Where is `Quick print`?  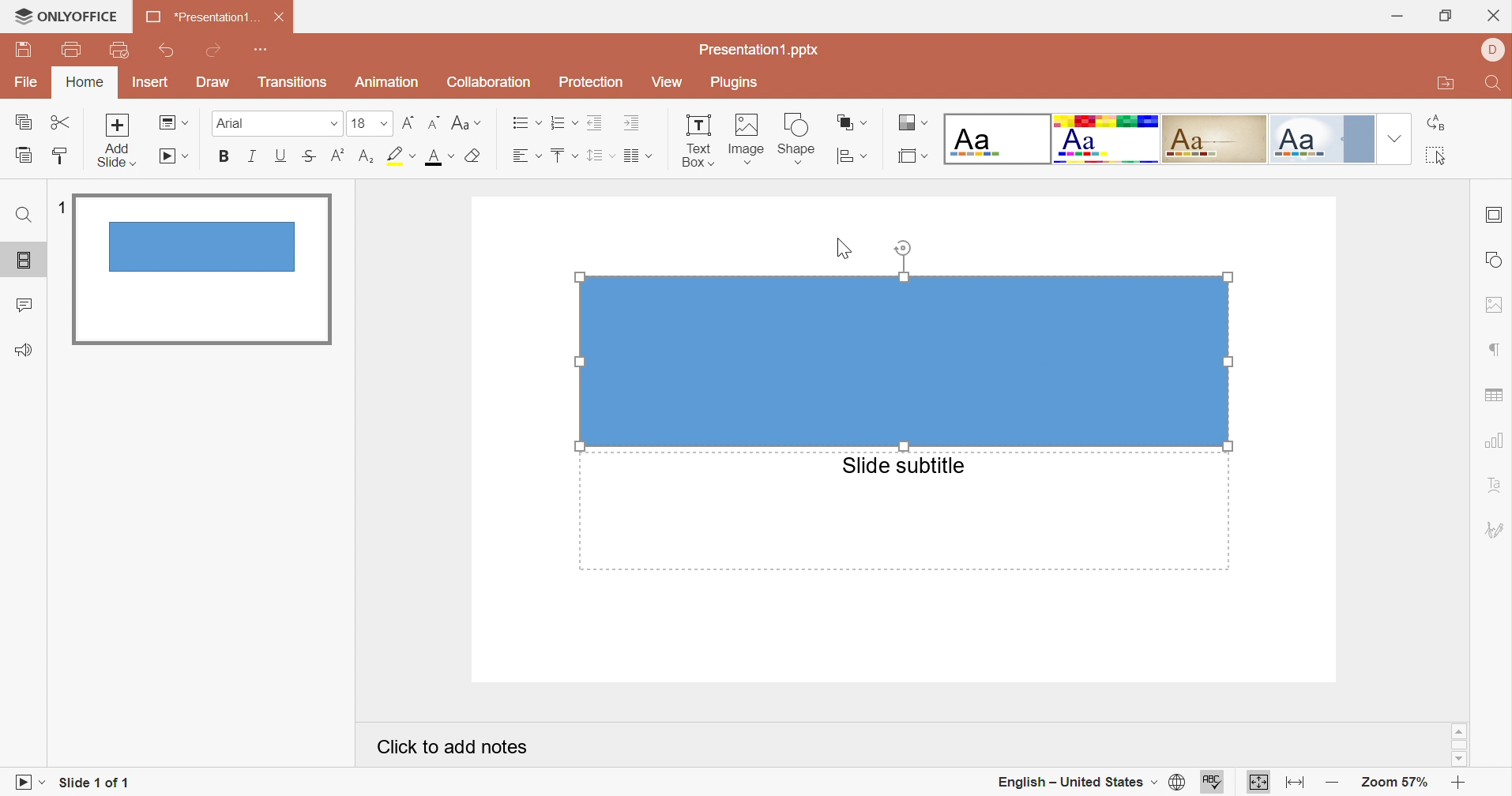
Quick print is located at coordinates (120, 51).